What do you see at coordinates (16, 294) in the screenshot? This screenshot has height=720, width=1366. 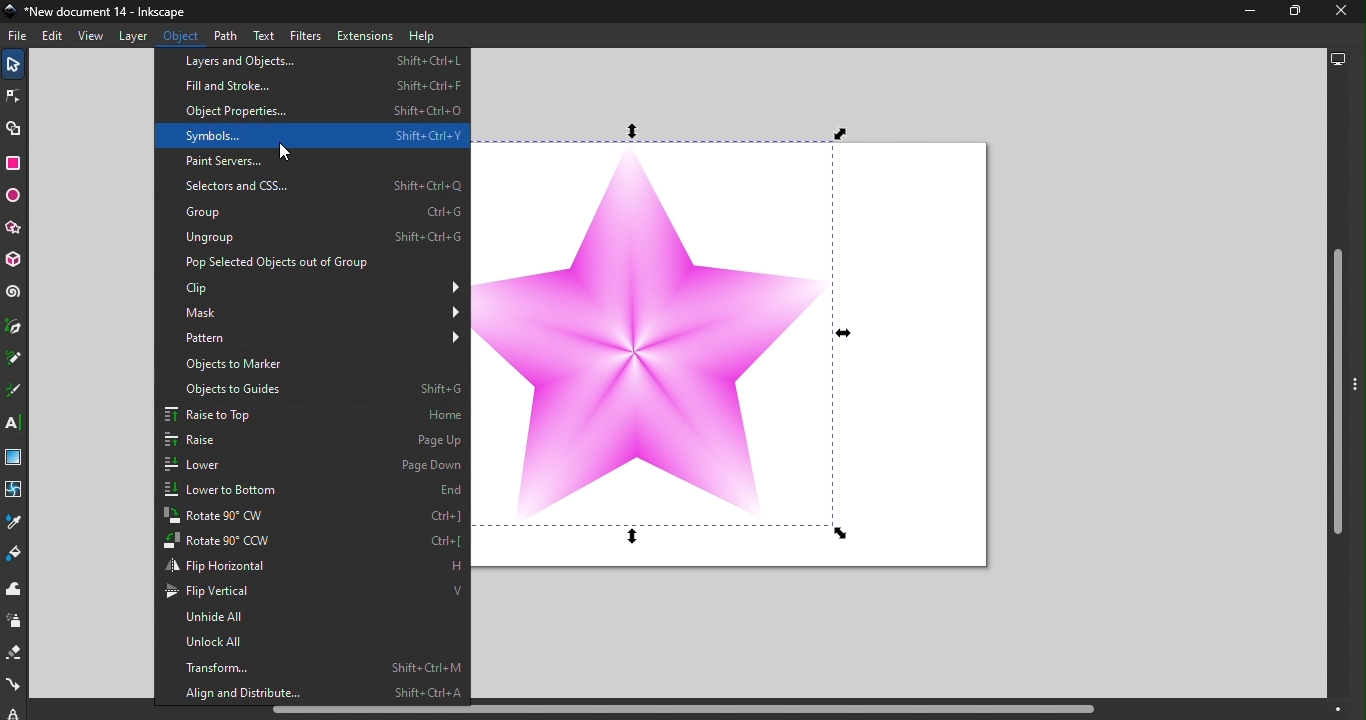 I see `Spiral tool` at bounding box center [16, 294].